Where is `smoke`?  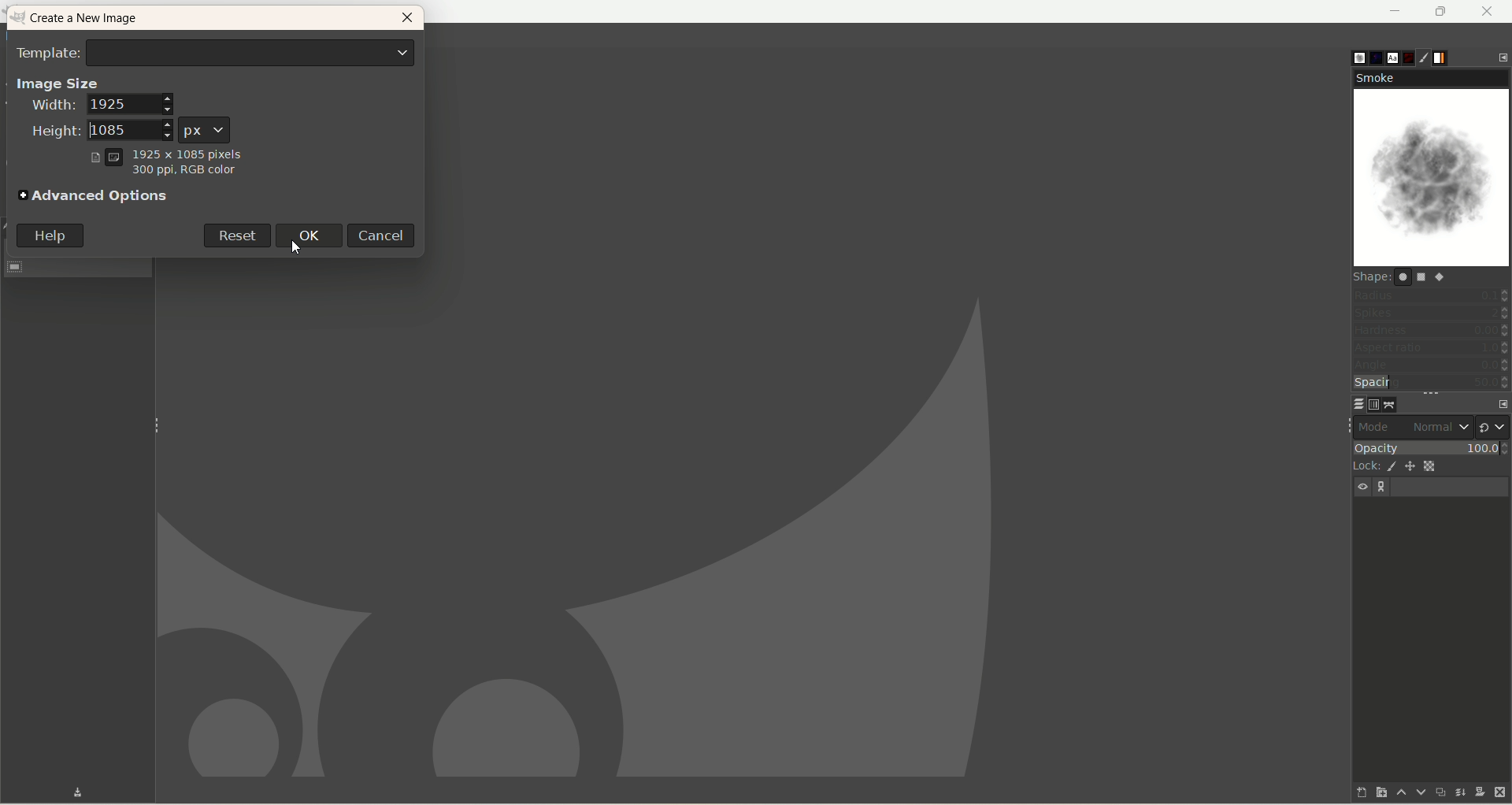 smoke is located at coordinates (1433, 169).